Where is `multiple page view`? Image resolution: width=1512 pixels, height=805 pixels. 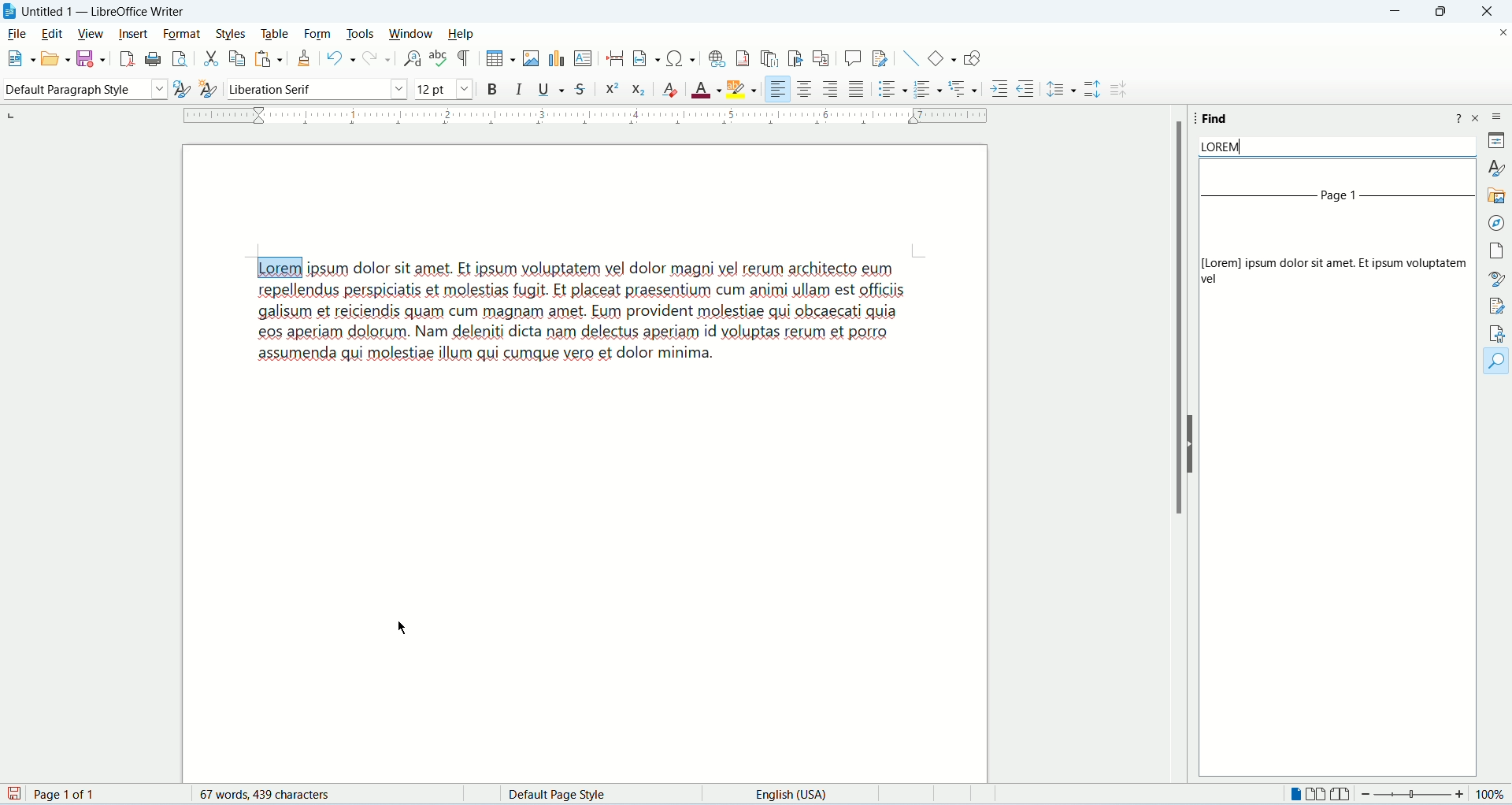 multiple page view is located at coordinates (1315, 796).